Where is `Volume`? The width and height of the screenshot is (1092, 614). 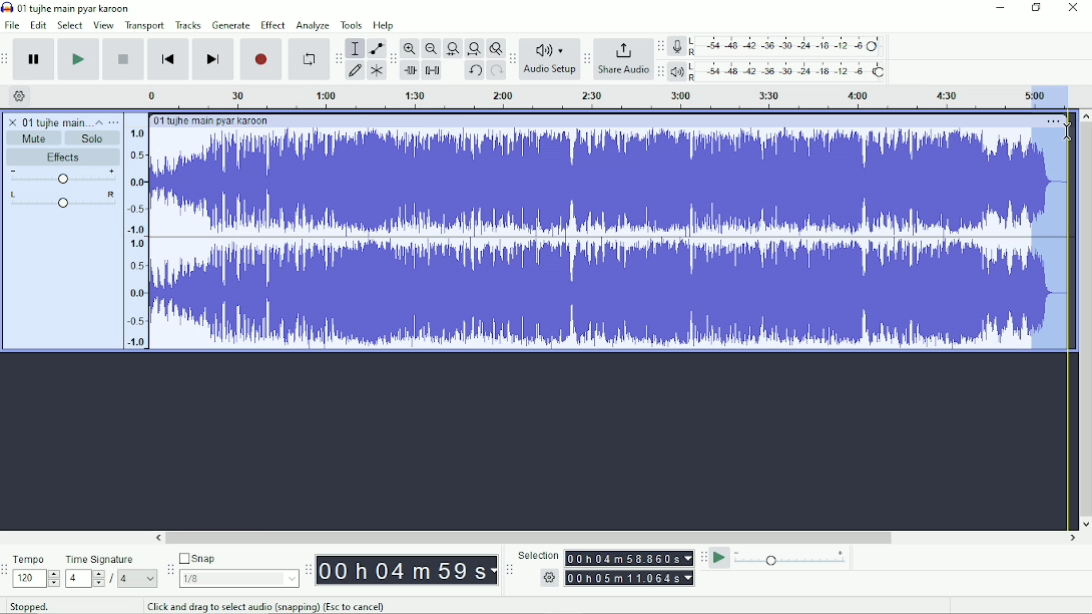
Volume is located at coordinates (63, 177).